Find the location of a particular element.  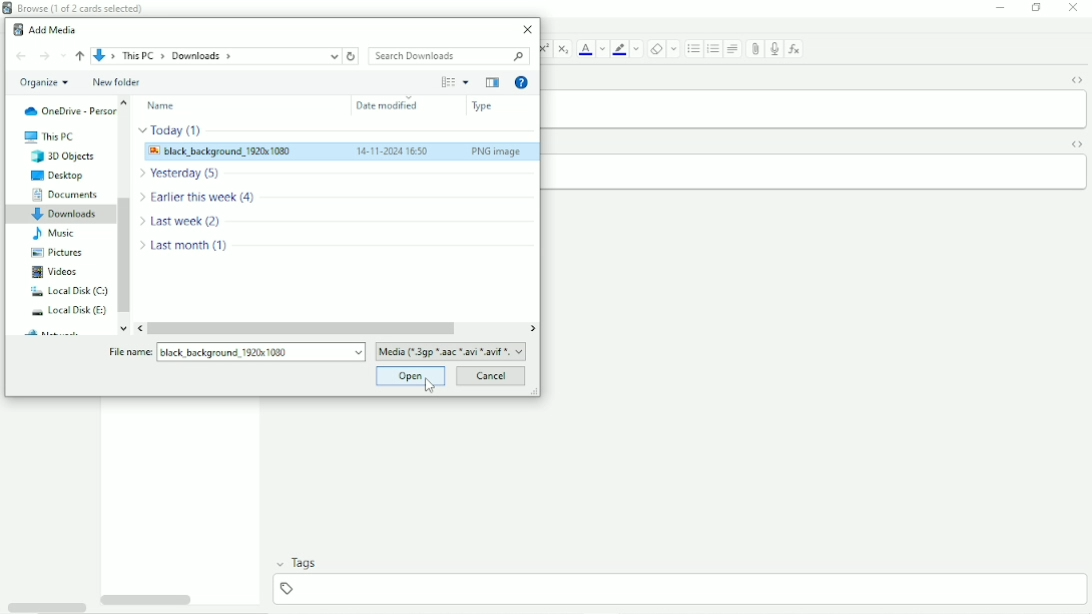

Attach pictures/audio/video is located at coordinates (755, 49).